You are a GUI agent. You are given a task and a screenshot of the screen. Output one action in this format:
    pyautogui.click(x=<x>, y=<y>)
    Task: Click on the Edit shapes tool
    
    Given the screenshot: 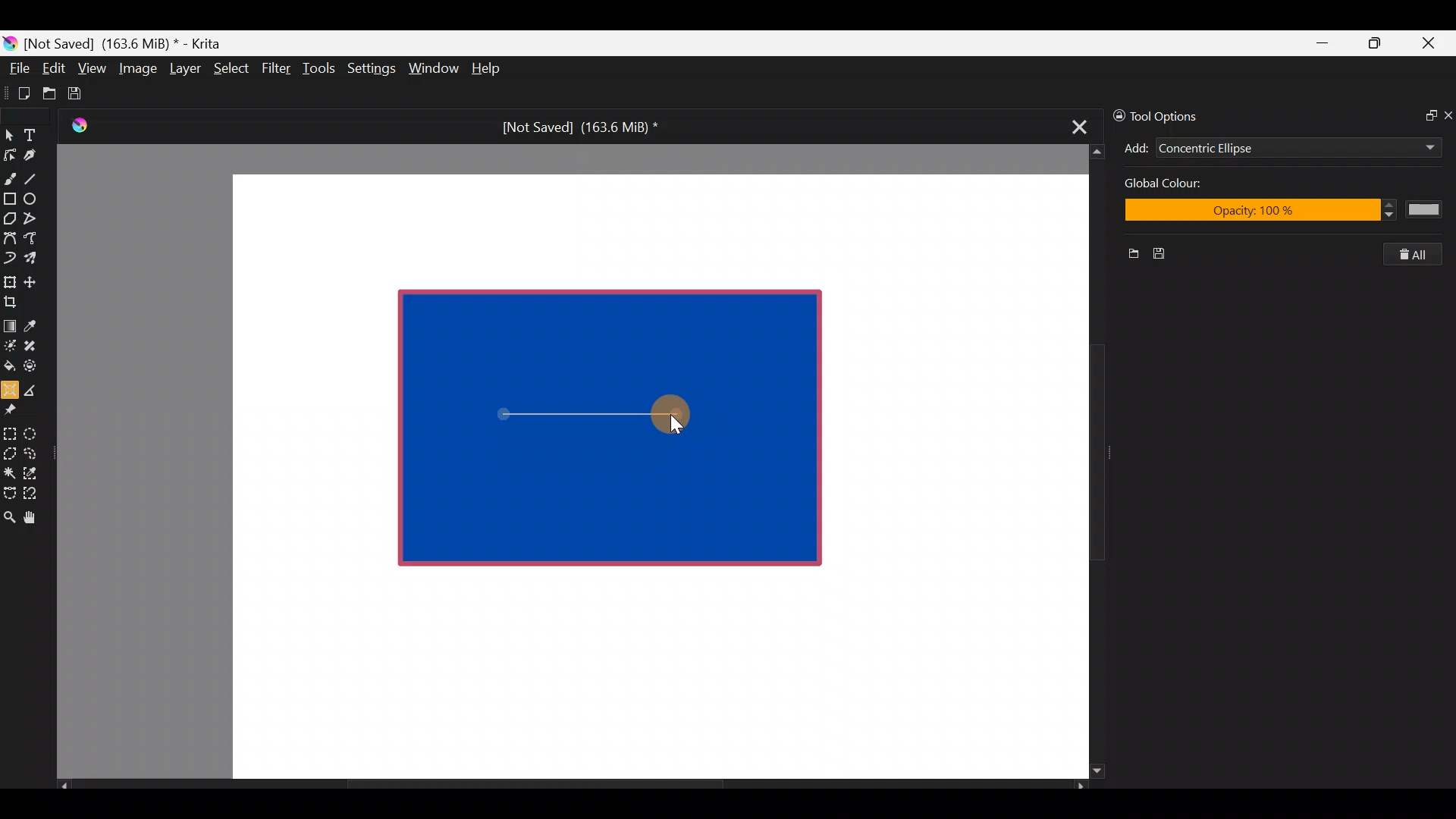 What is the action you would take?
    pyautogui.click(x=10, y=154)
    